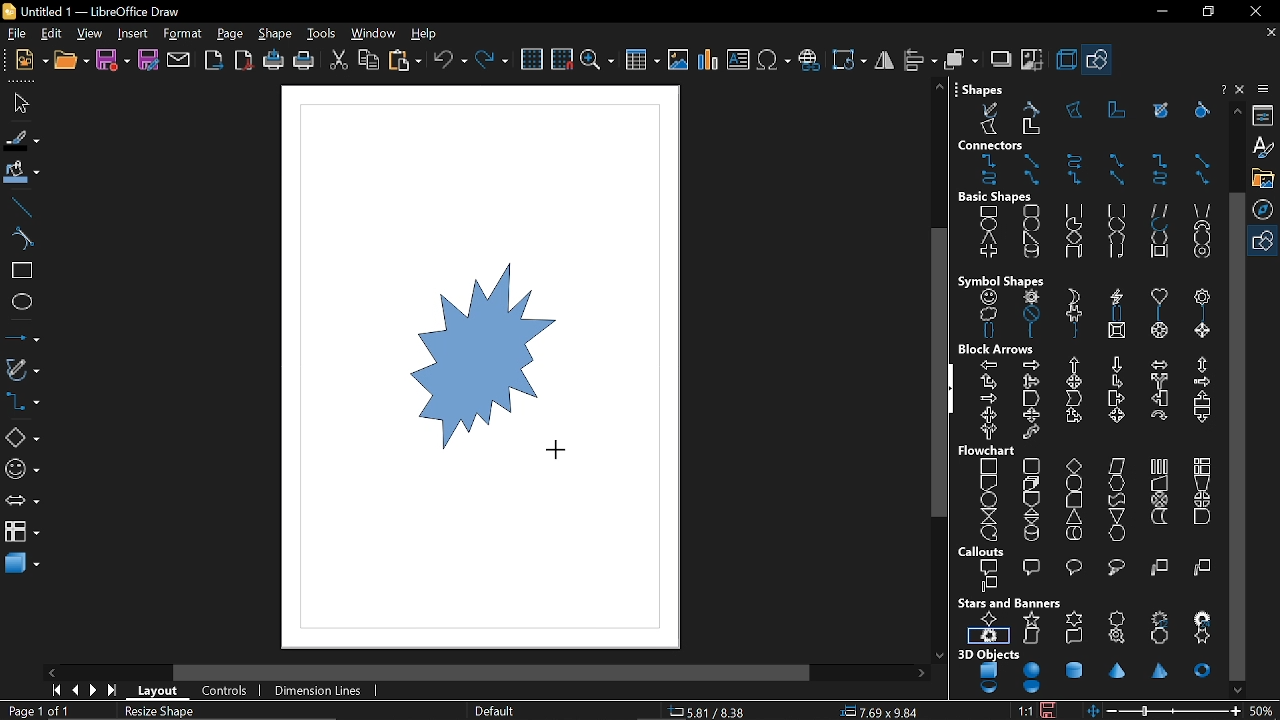 This screenshot has height=720, width=1280. Describe the element at coordinates (1206, 13) in the screenshot. I see `Restore down` at that location.